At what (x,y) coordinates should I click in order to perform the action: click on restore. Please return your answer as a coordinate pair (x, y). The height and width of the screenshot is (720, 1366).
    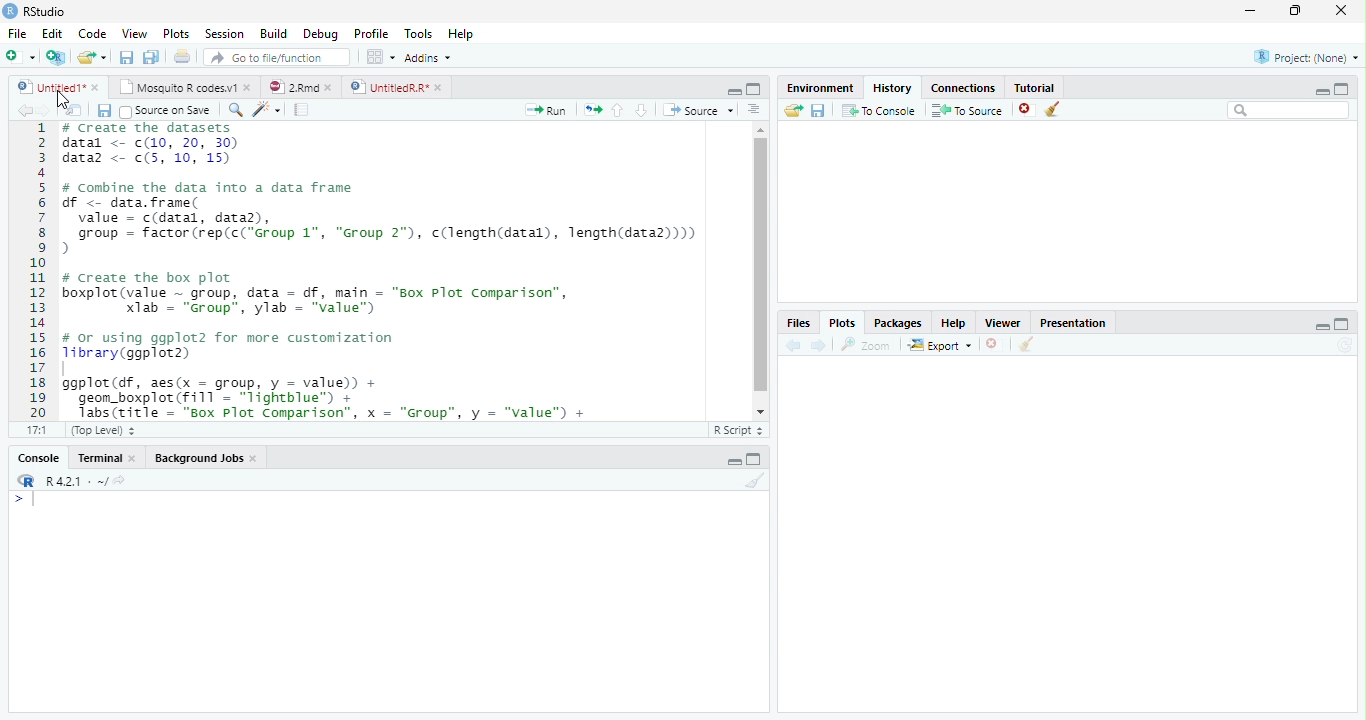
    Looking at the image, I should click on (1295, 11).